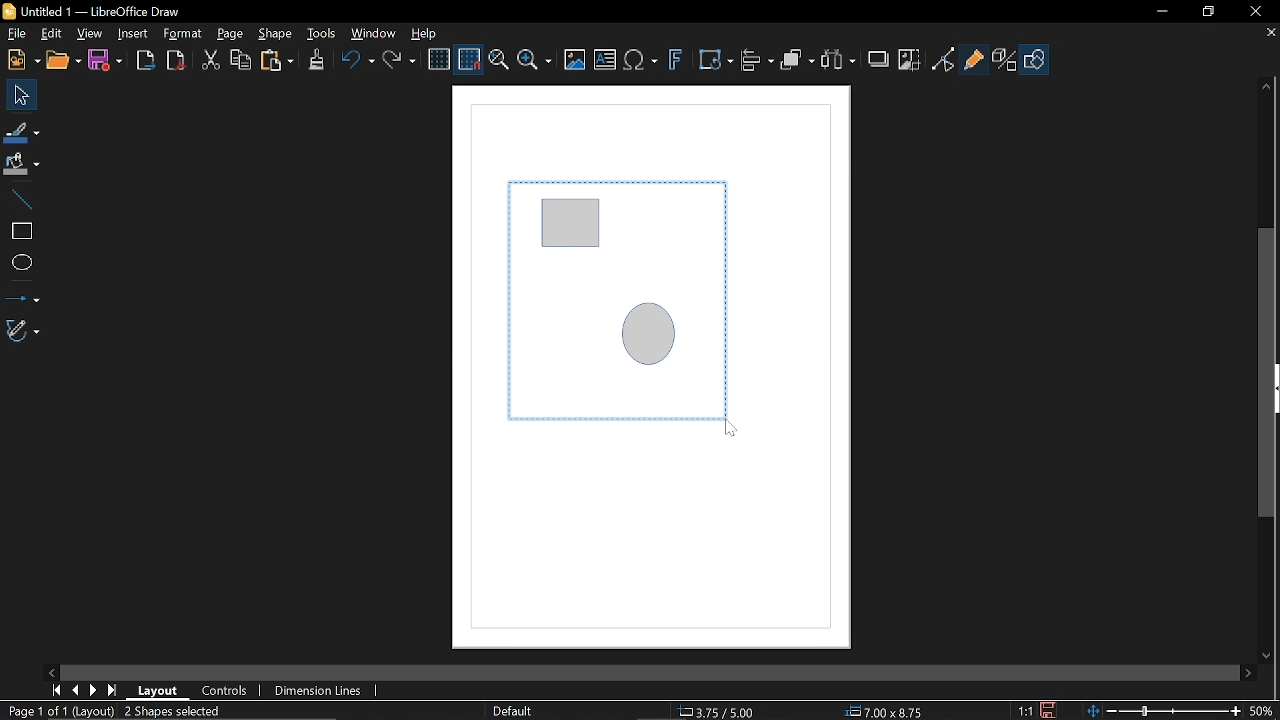 The image size is (1280, 720). I want to click on Line color, so click(22, 129).